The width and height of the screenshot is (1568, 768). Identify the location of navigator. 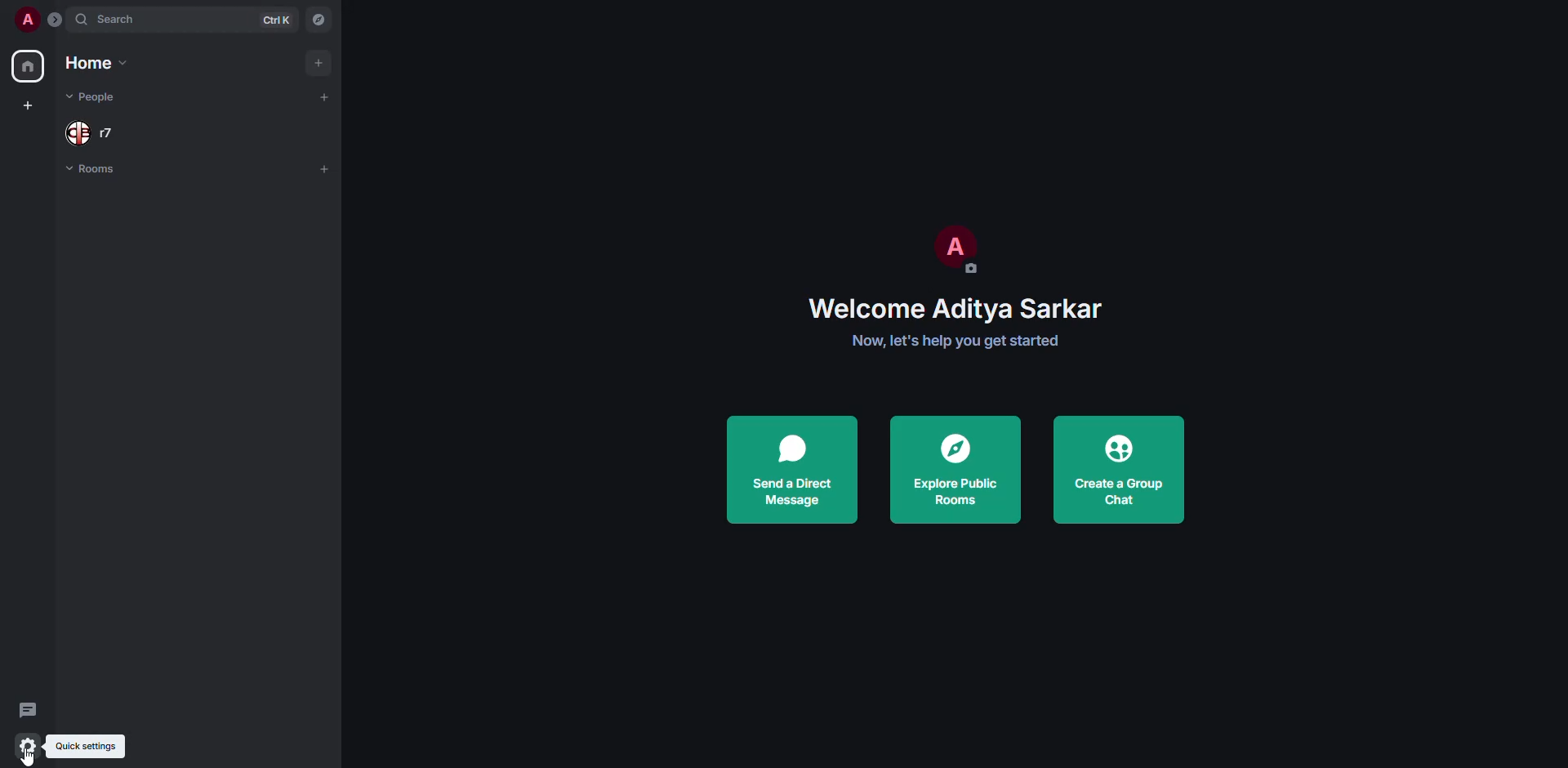
(321, 18).